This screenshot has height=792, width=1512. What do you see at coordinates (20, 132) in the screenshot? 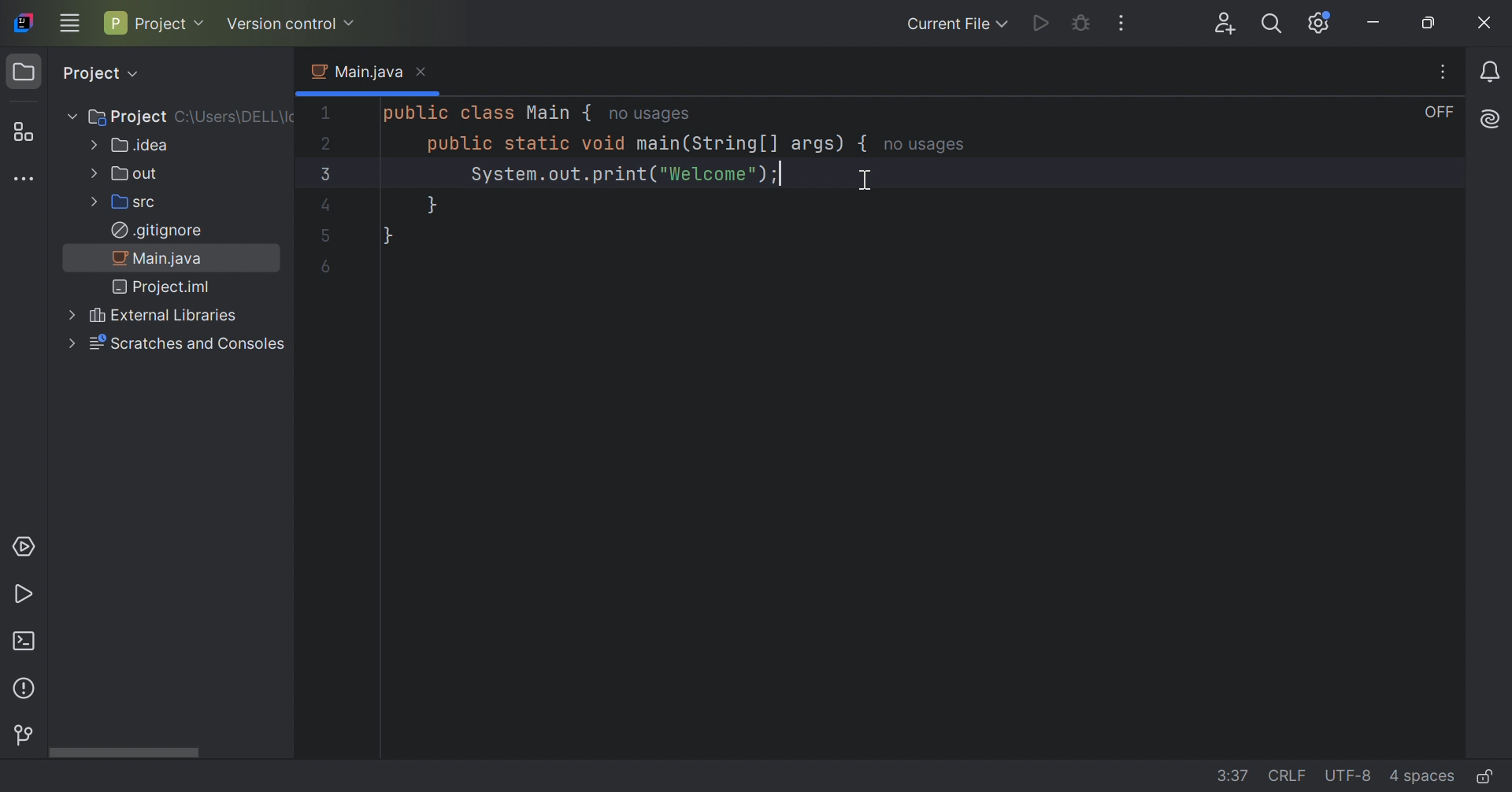
I see `Structure` at bounding box center [20, 132].